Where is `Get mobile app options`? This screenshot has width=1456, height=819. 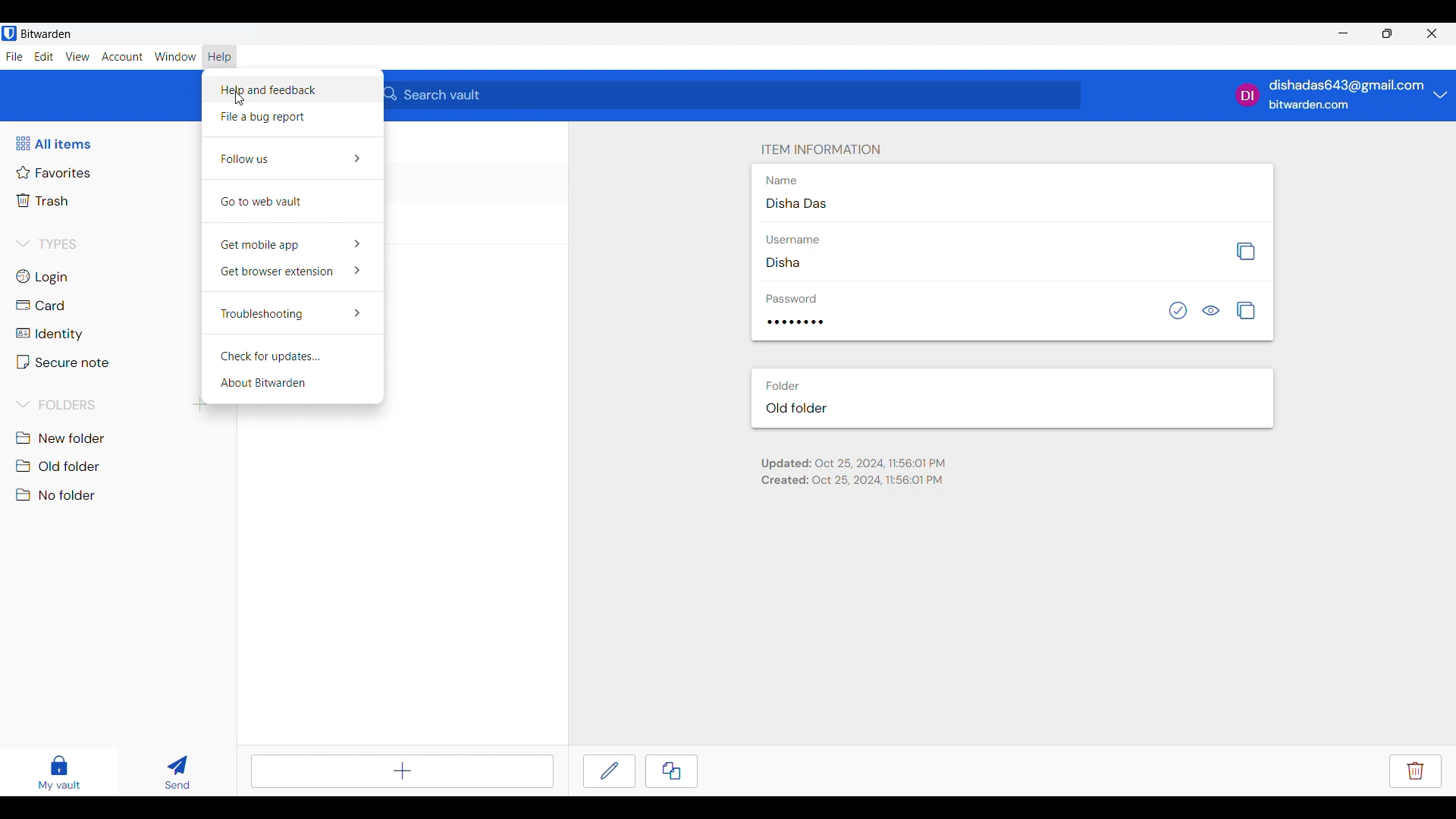 Get mobile app options is located at coordinates (292, 243).